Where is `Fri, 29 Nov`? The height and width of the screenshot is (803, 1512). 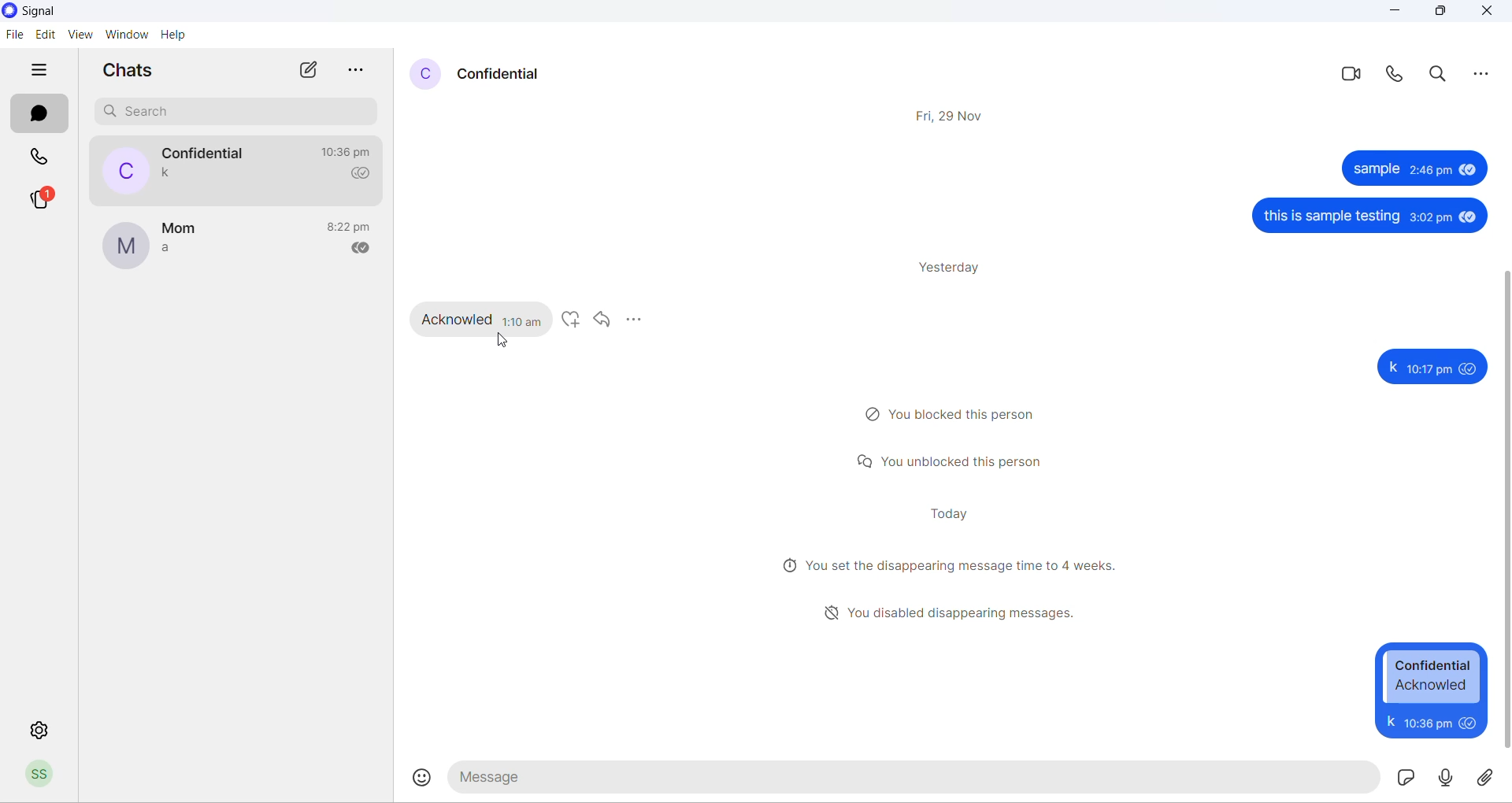 Fri, 29 Nov is located at coordinates (953, 117).